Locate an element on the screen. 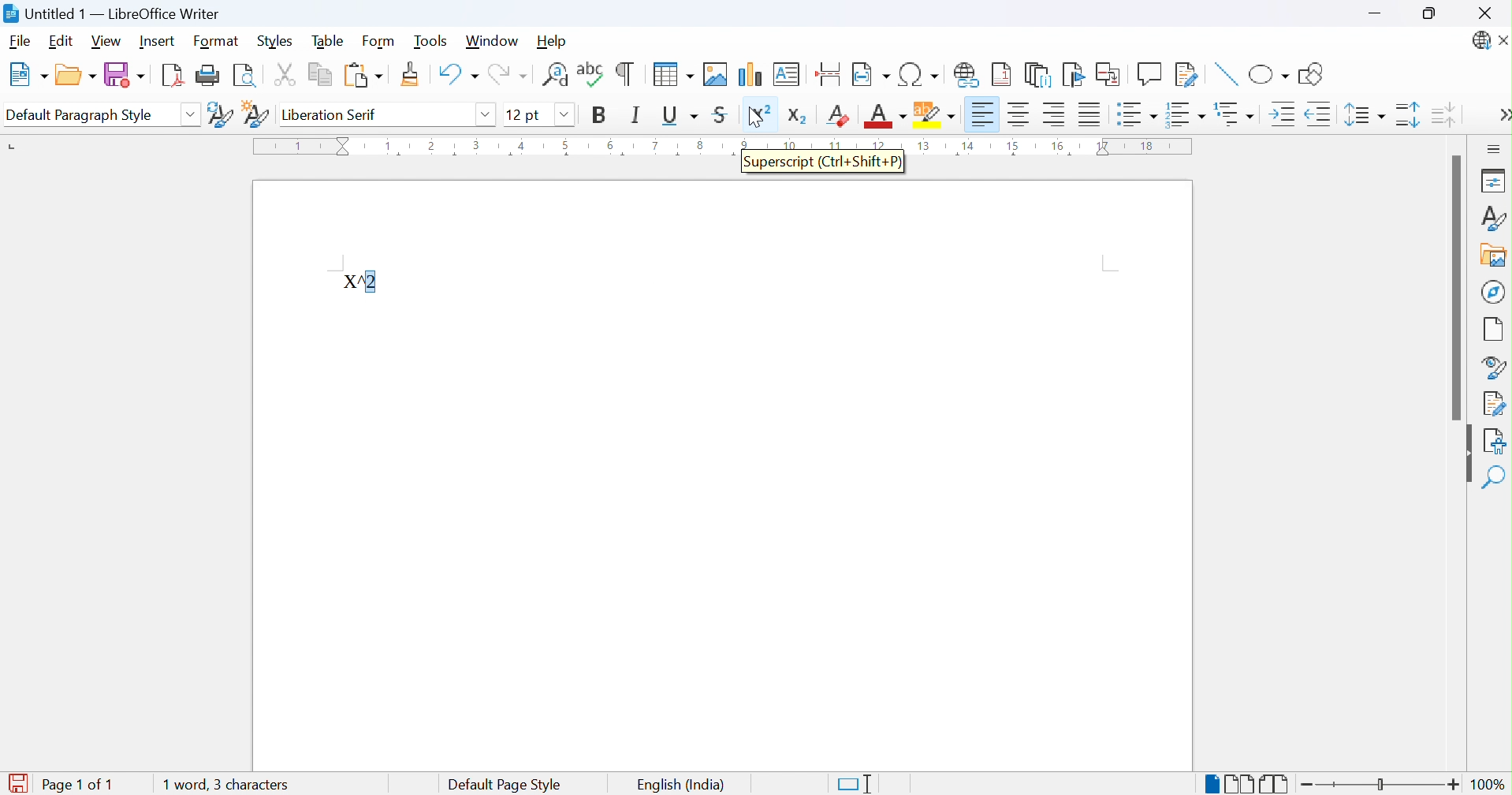 This screenshot has width=1512, height=795. Import as PDF is located at coordinates (175, 74).